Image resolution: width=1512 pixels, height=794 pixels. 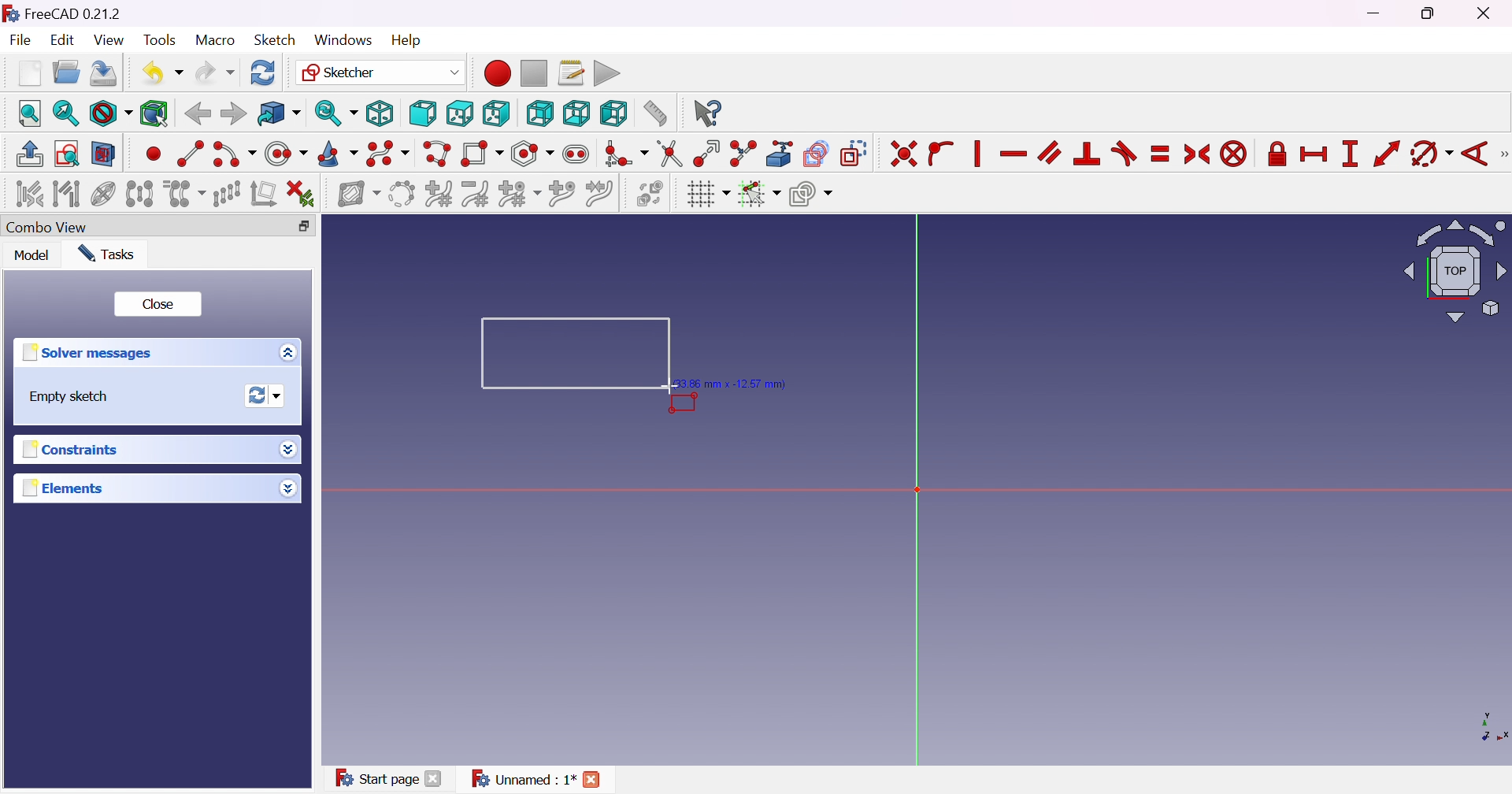 What do you see at coordinates (269, 395) in the screenshot?
I see `Forces recomputation of active document` at bounding box center [269, 395].